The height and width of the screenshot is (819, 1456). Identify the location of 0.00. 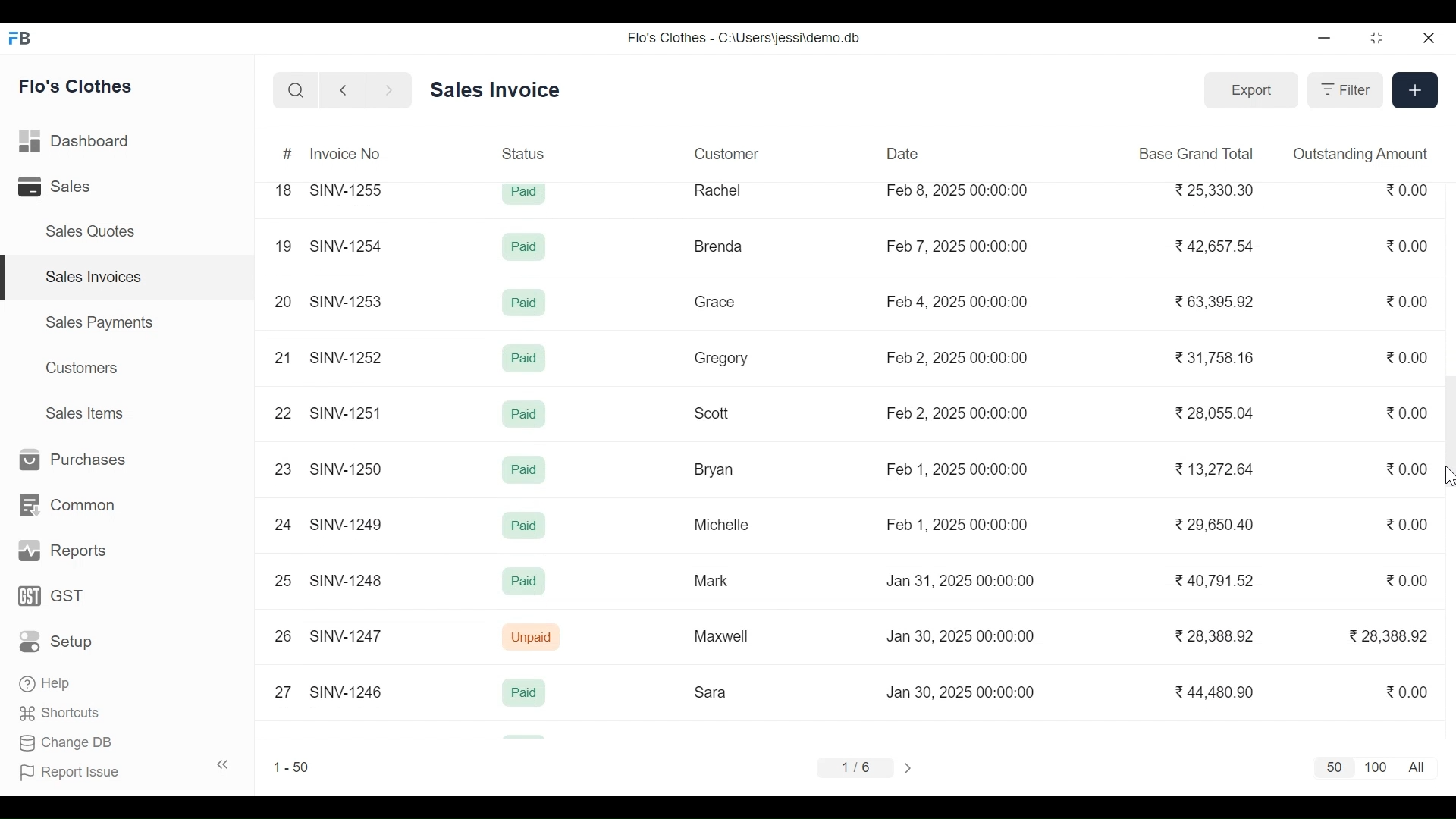
(1410, 580).